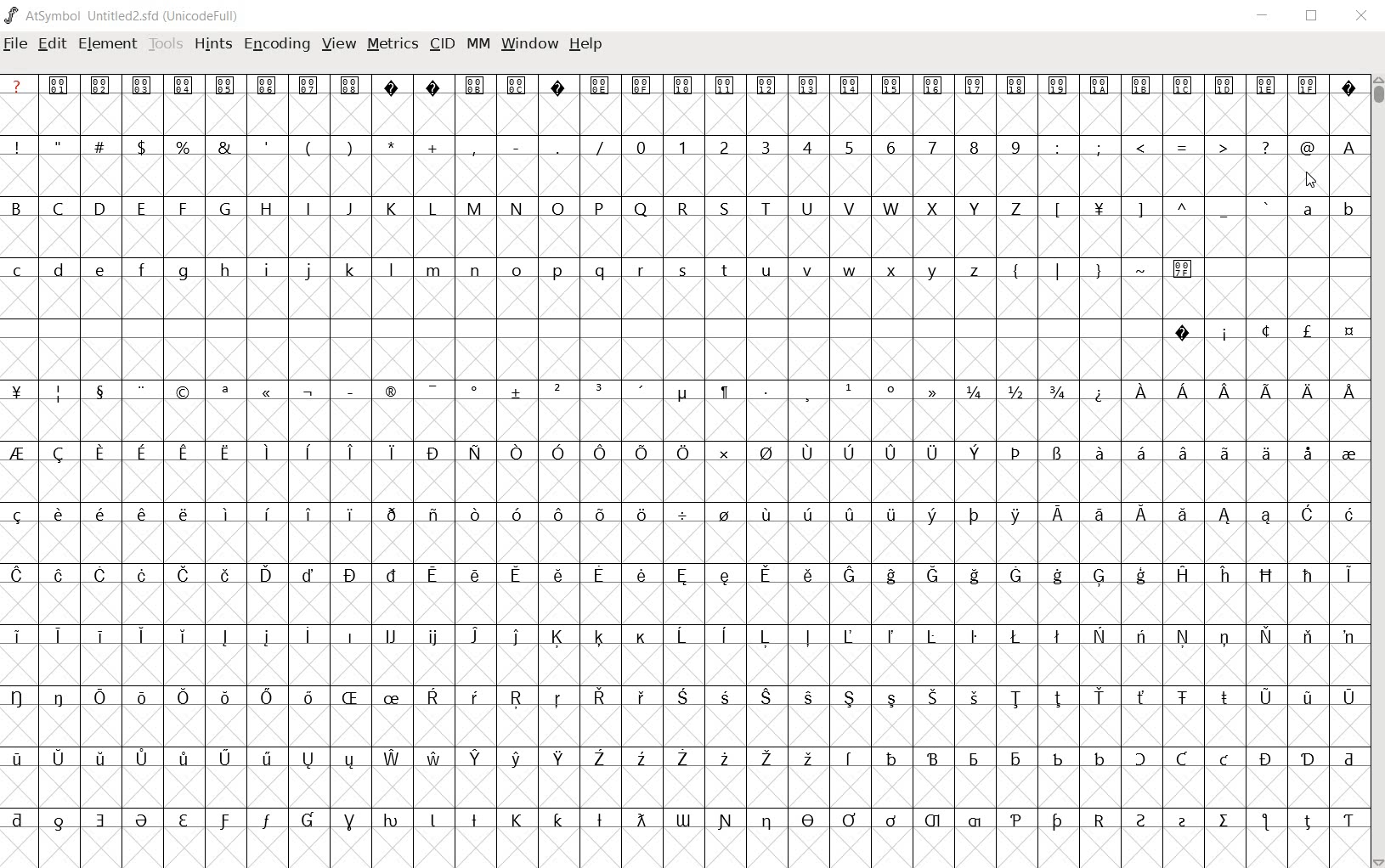 Image resolution: width=1385 pixels, height=868 pixels. Describe the element at coordinates (280, 46) in the screenshot. I see `ENCODING` at that location.